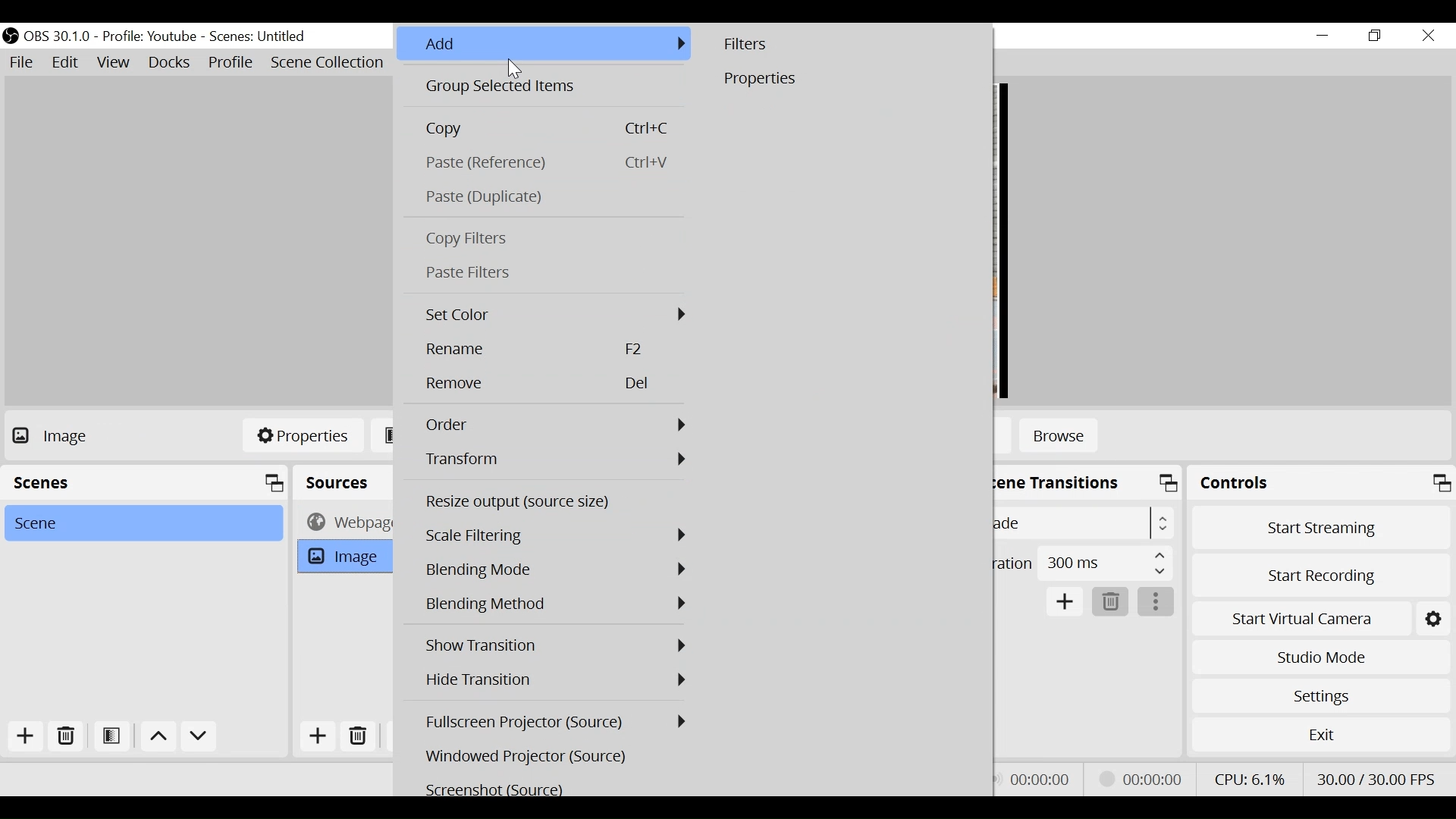 This screenshot has height=819, width=1456. Describe the element at coordinates (1375, 779) in the screenshot. I see `Frame Per Second` at that location.